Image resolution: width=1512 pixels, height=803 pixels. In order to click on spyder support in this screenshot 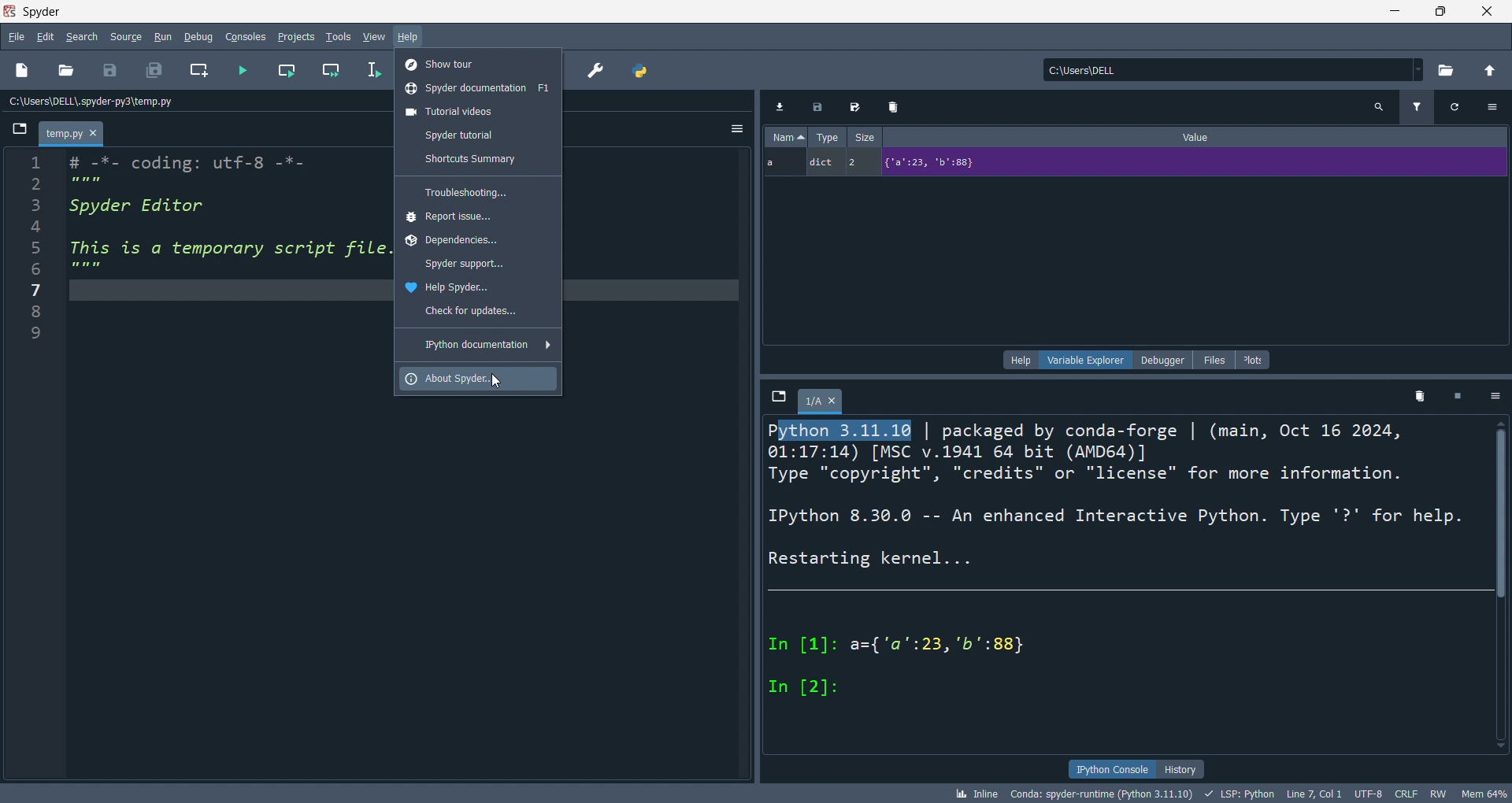, I will do `click(477, 263)`.